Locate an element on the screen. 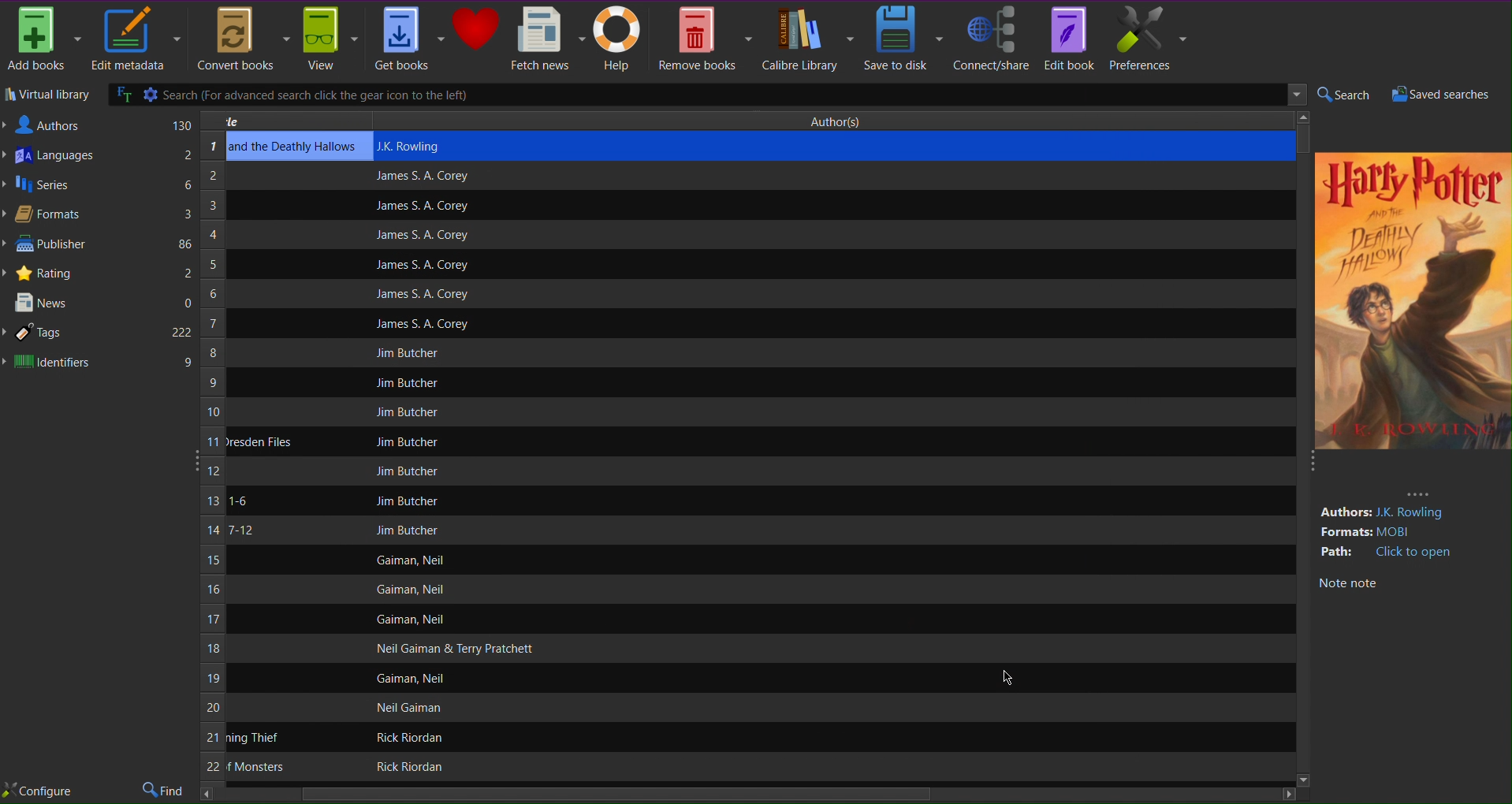 Image resolution: width=1512 pixels, height=804 pixels. Authors is located at coordinates (99, 124).